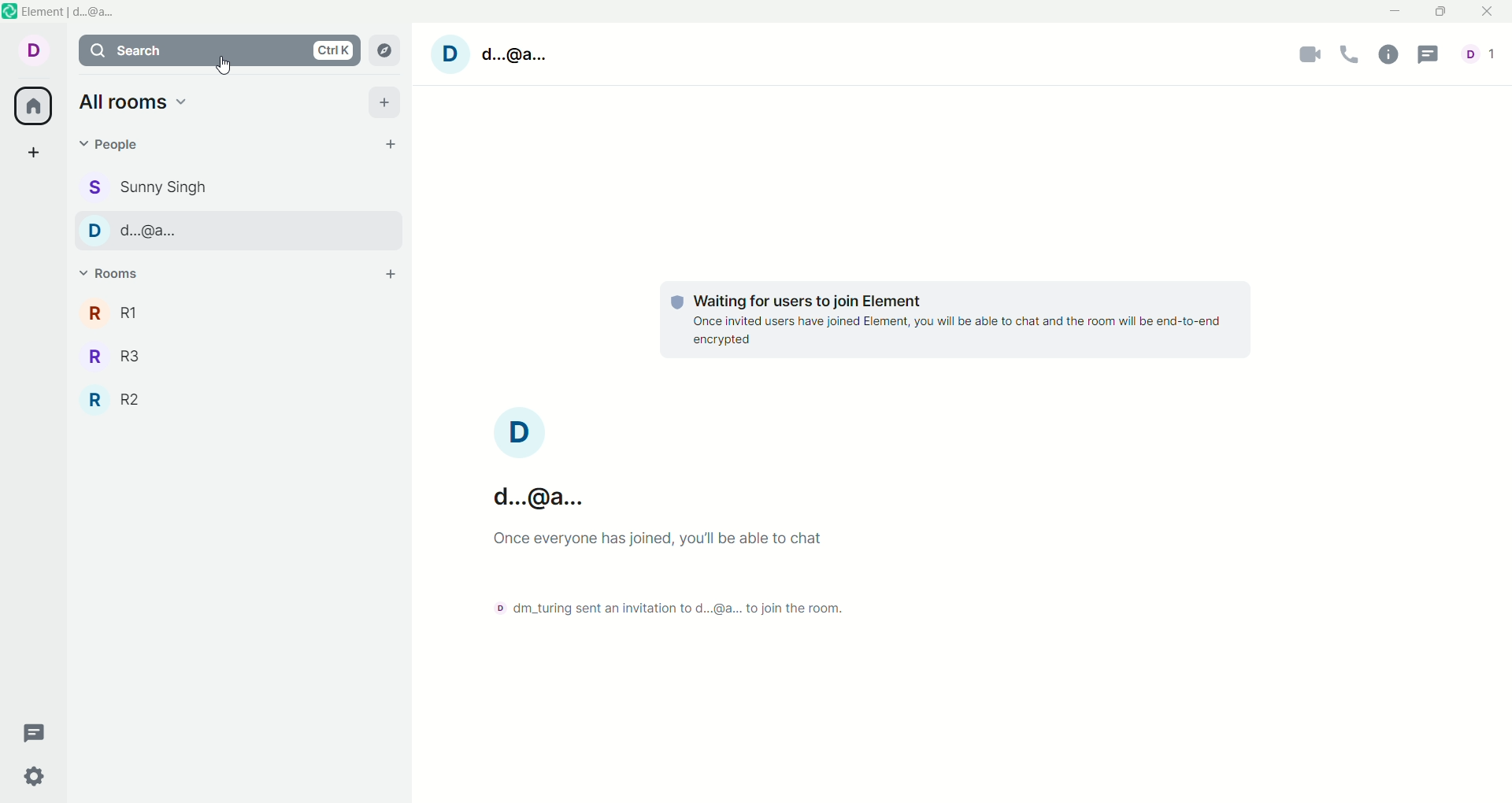 Image resolution: width=1512 pixels, height=803 pixels. Describe the element at coordinates (10, 16) in the screenshot. I see `logo` at that location.